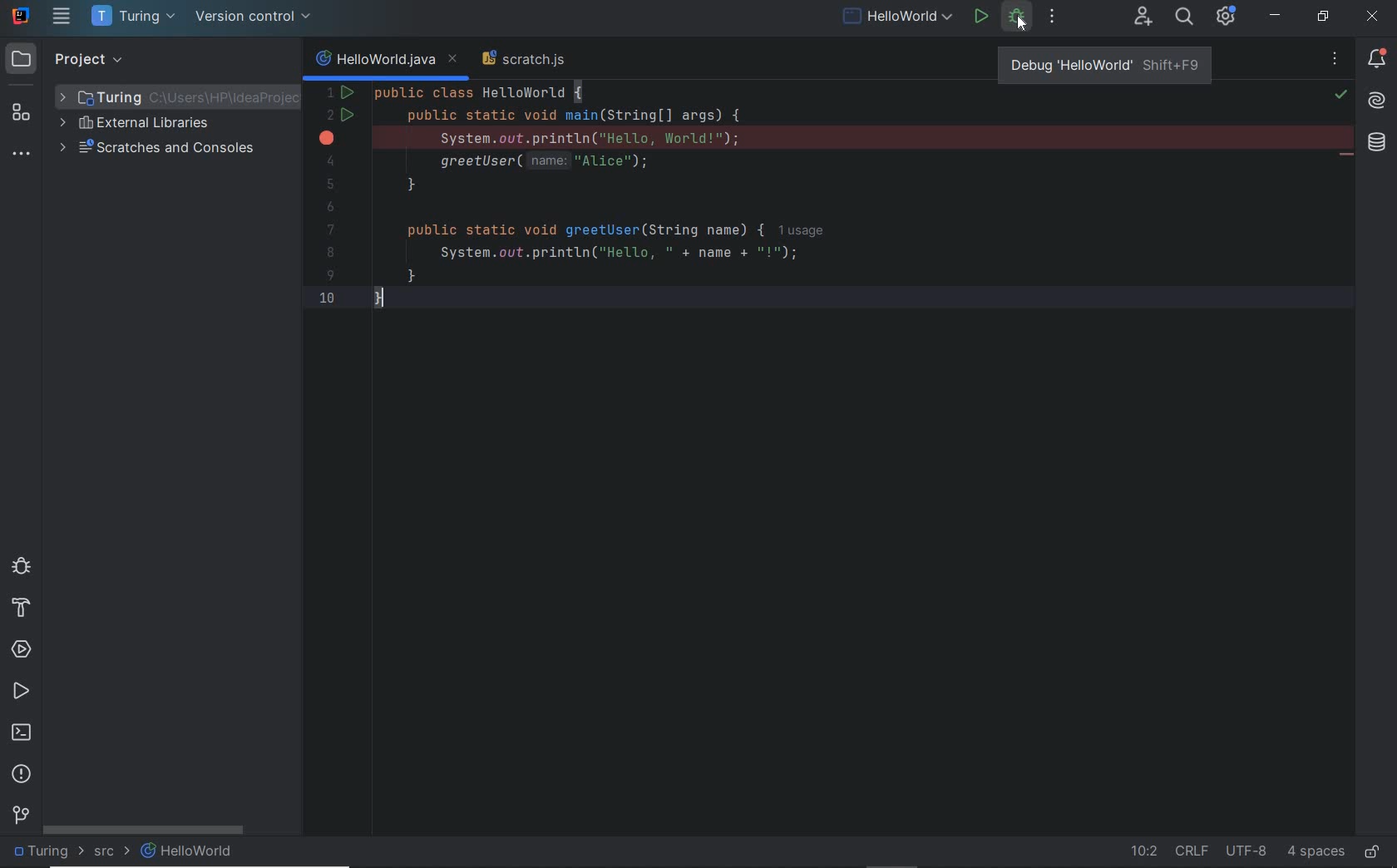 This screenshot has width=1397, height=868. What do you see at coordinates (385, 60) in the screenshot?
I see `current file name` at bounding box center [385, 60].